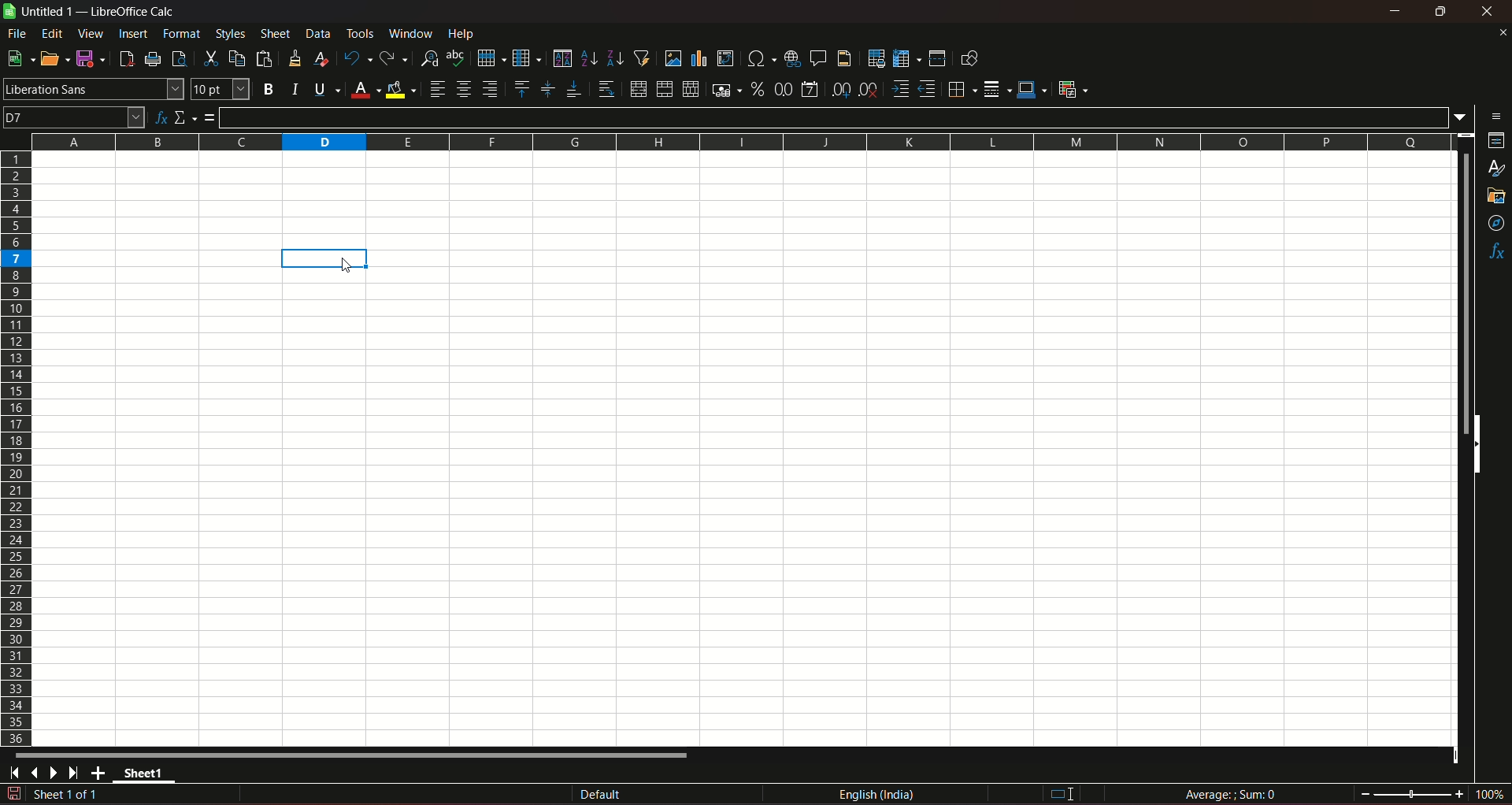 This screenshot has height=805, width=1512. Describe the element at coordinates (1498, 169) in the screenshot. I see `styles` at that location.